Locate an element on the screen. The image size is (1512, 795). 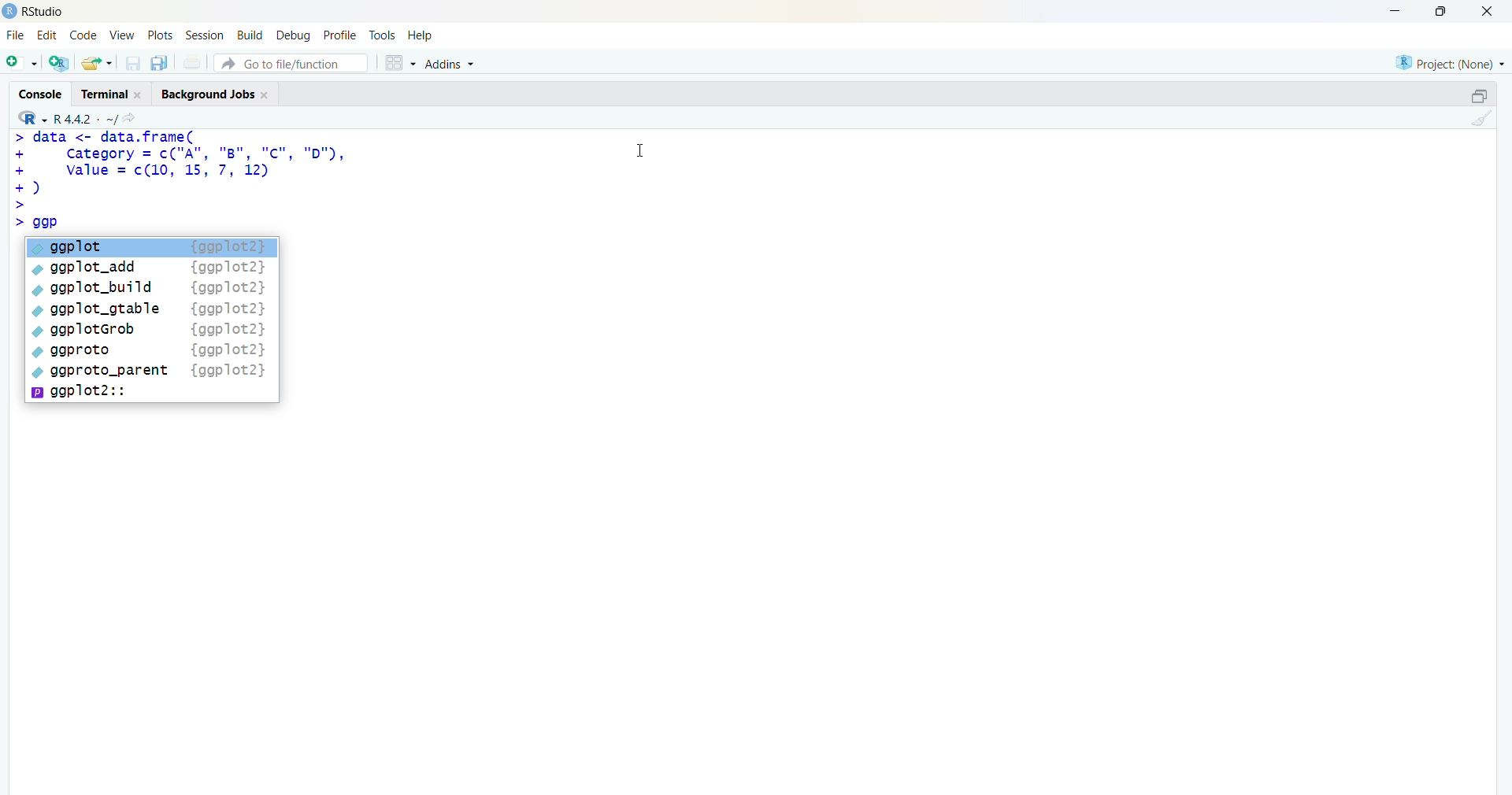
clear console is located at coordinates (1479, 118).